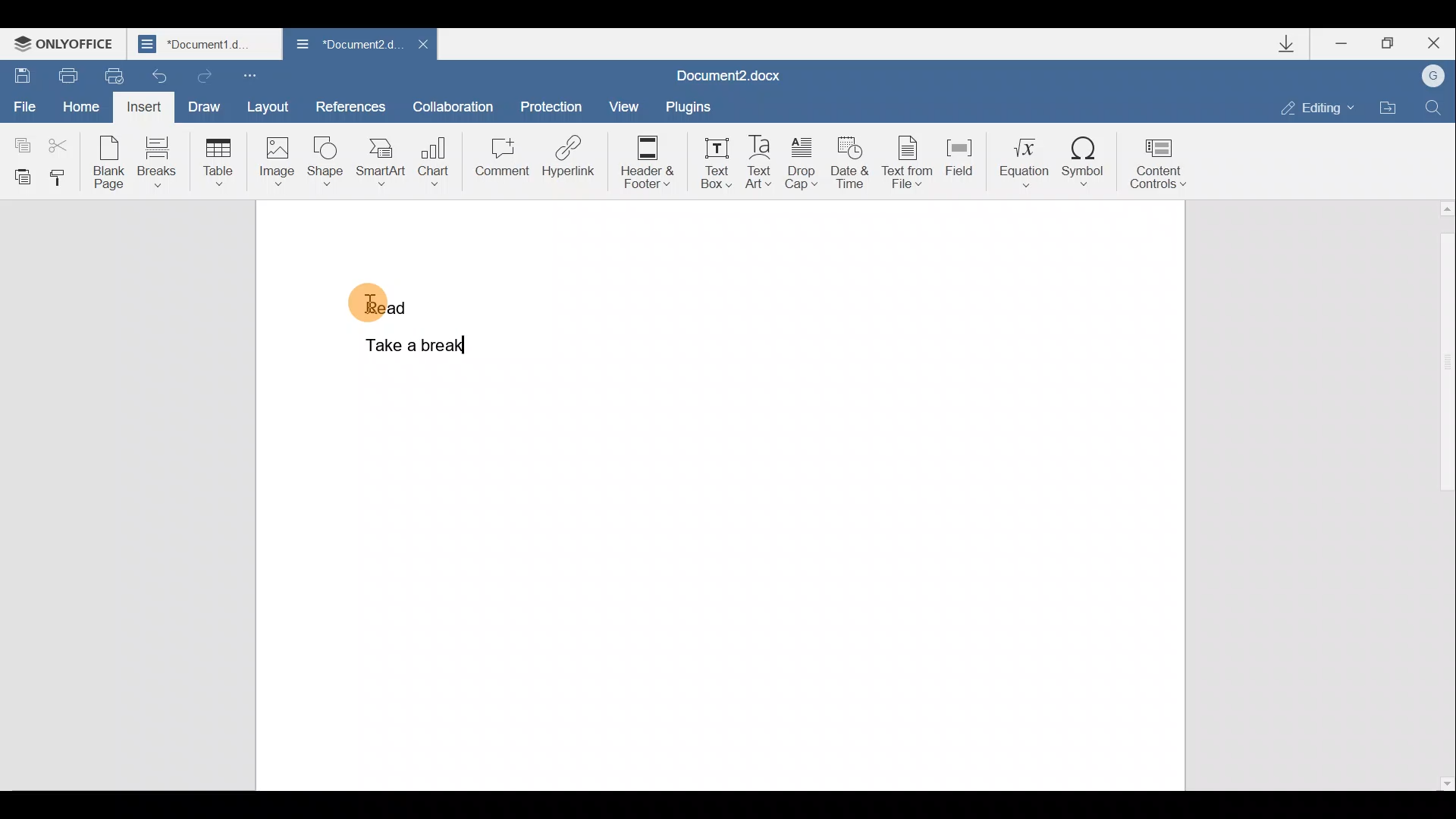 Image resolution: width=1456 pixels, height=819 pixels. I want to click on Print file, so click(67, 73).